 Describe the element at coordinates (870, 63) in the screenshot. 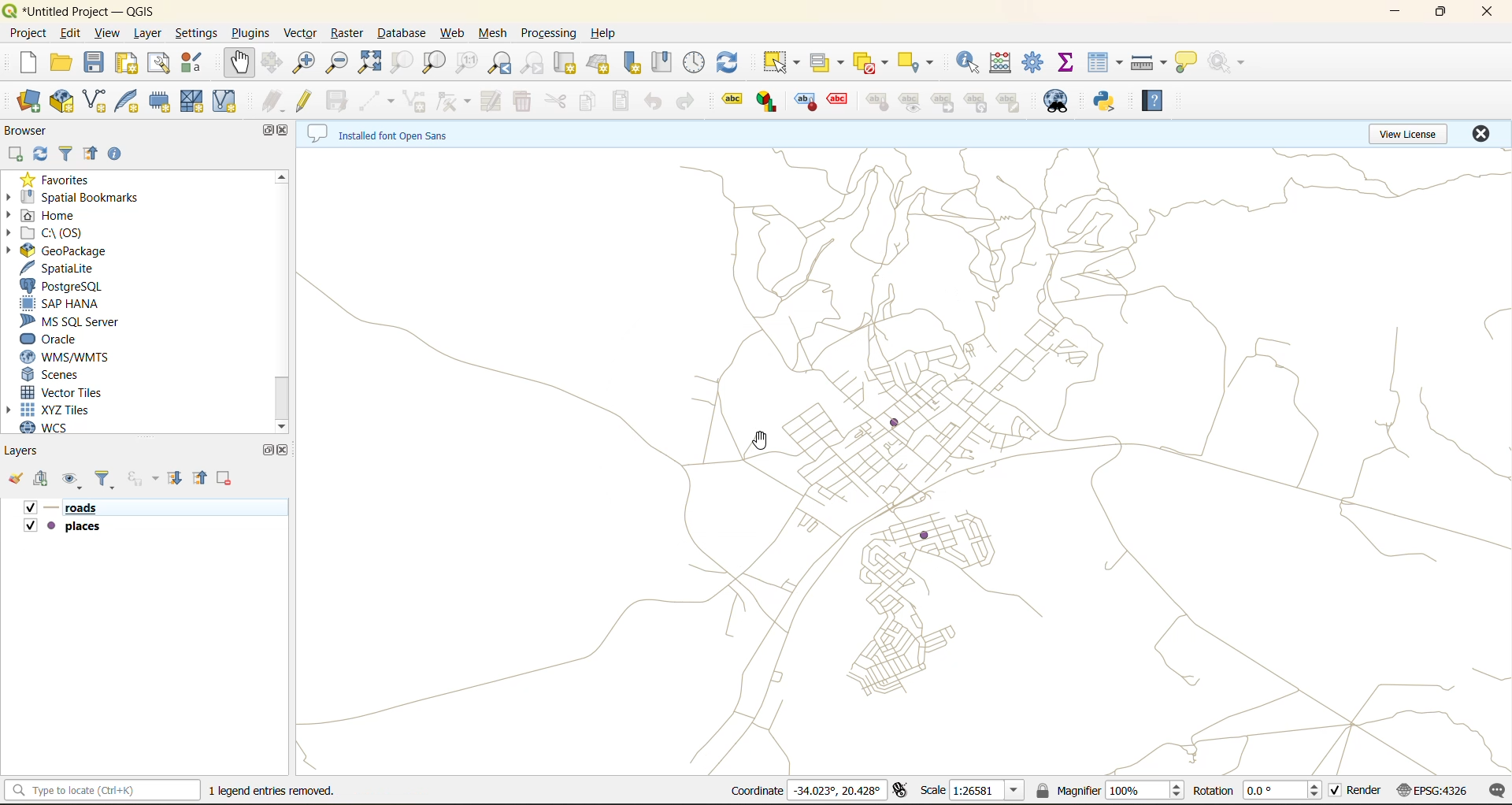

I see `deselect` at that location.